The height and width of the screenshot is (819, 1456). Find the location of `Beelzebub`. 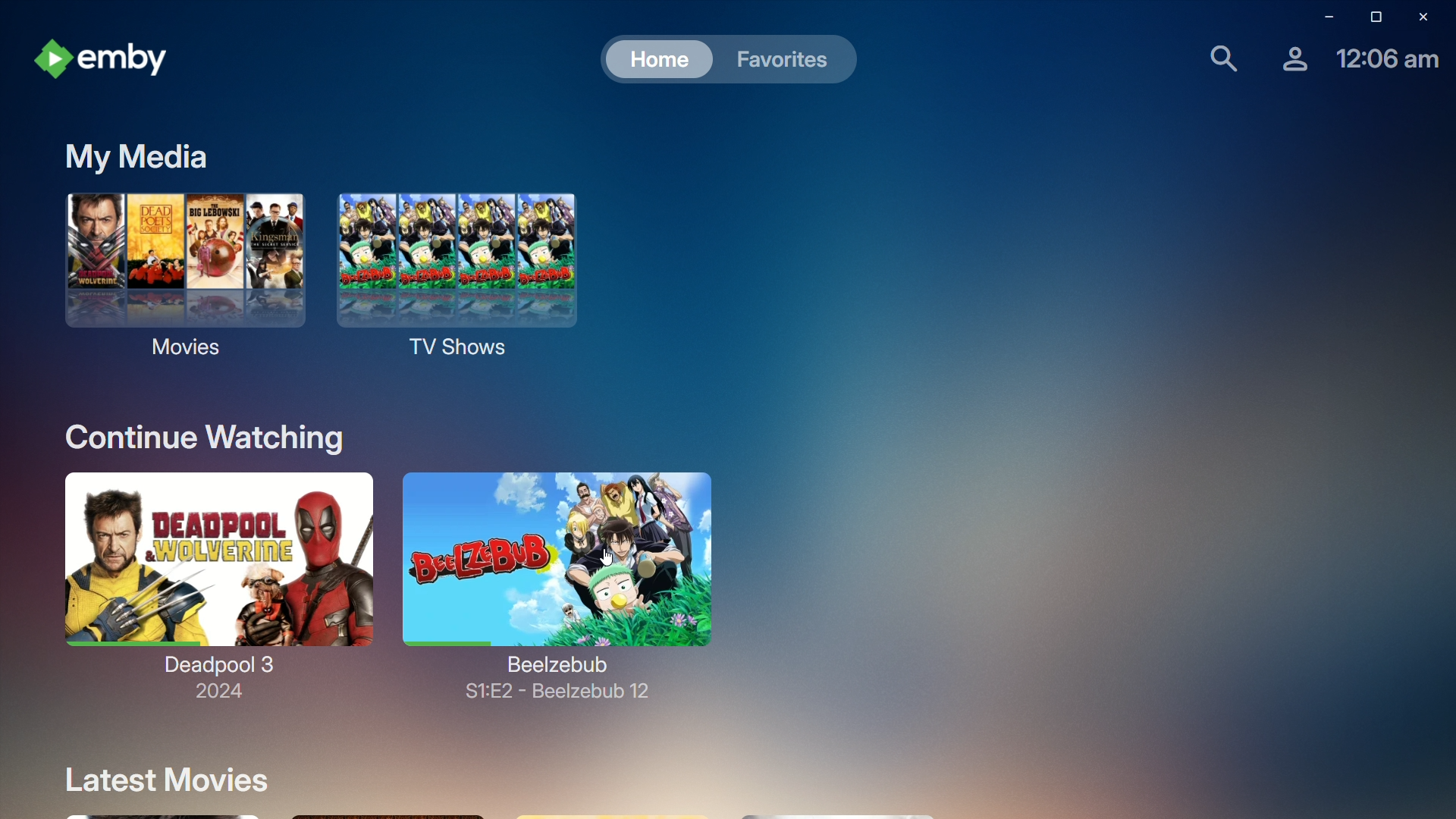

Beelzebub is located at coordinates (561, 623).